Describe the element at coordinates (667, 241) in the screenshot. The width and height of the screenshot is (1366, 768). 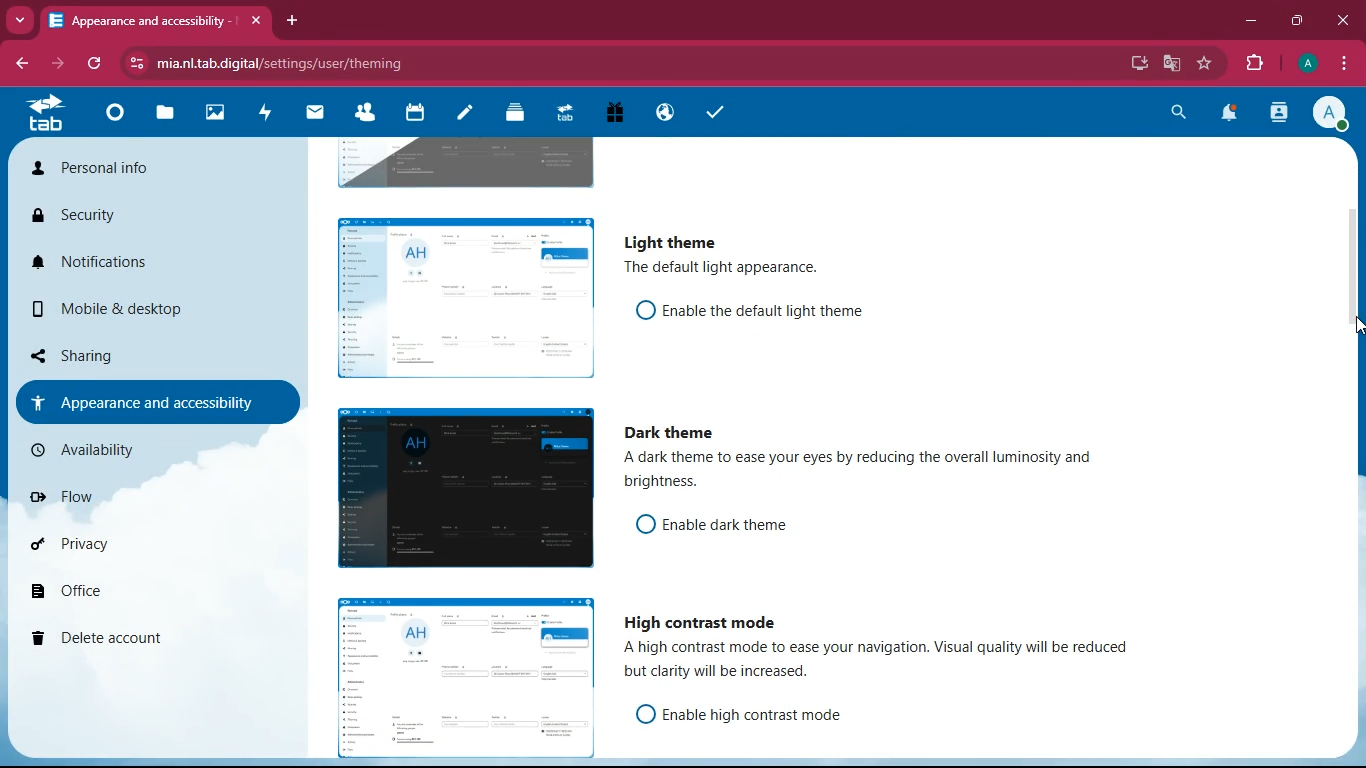
I see `light theme` at that location.